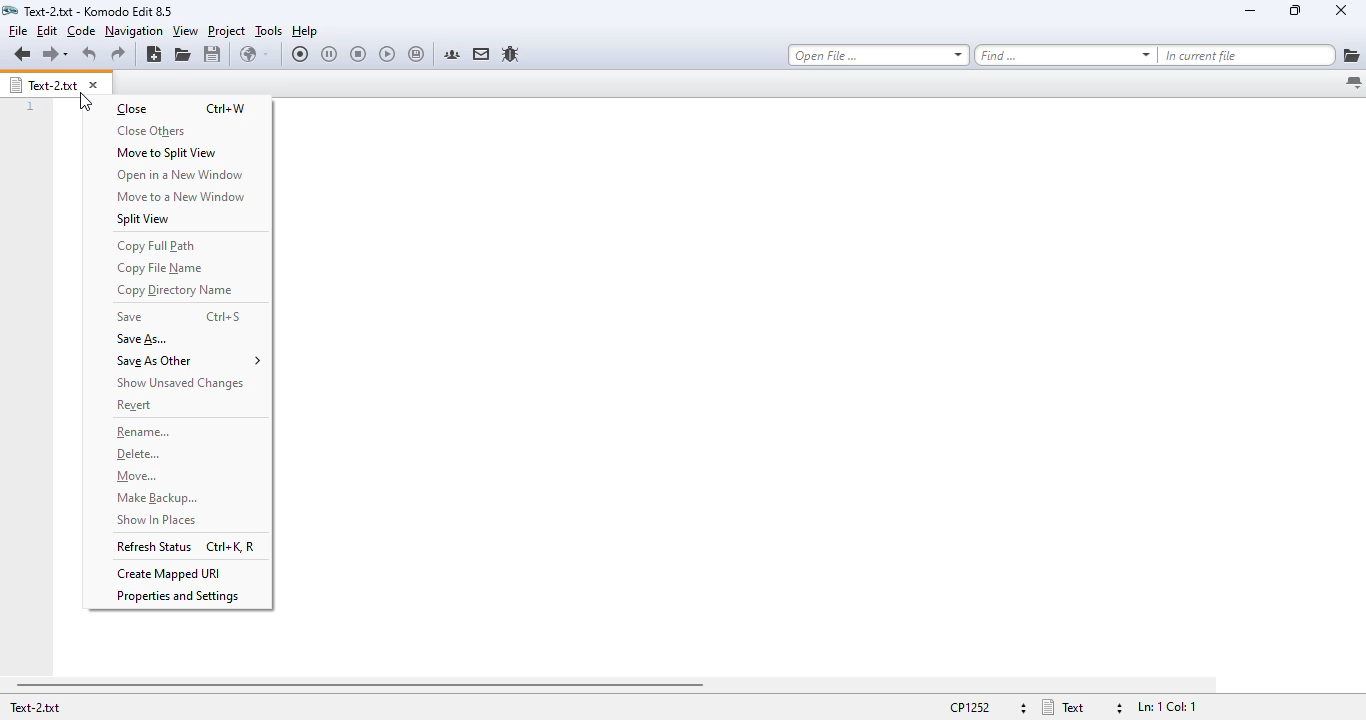  I want to click on show unsaved changes, so click(178, 382).